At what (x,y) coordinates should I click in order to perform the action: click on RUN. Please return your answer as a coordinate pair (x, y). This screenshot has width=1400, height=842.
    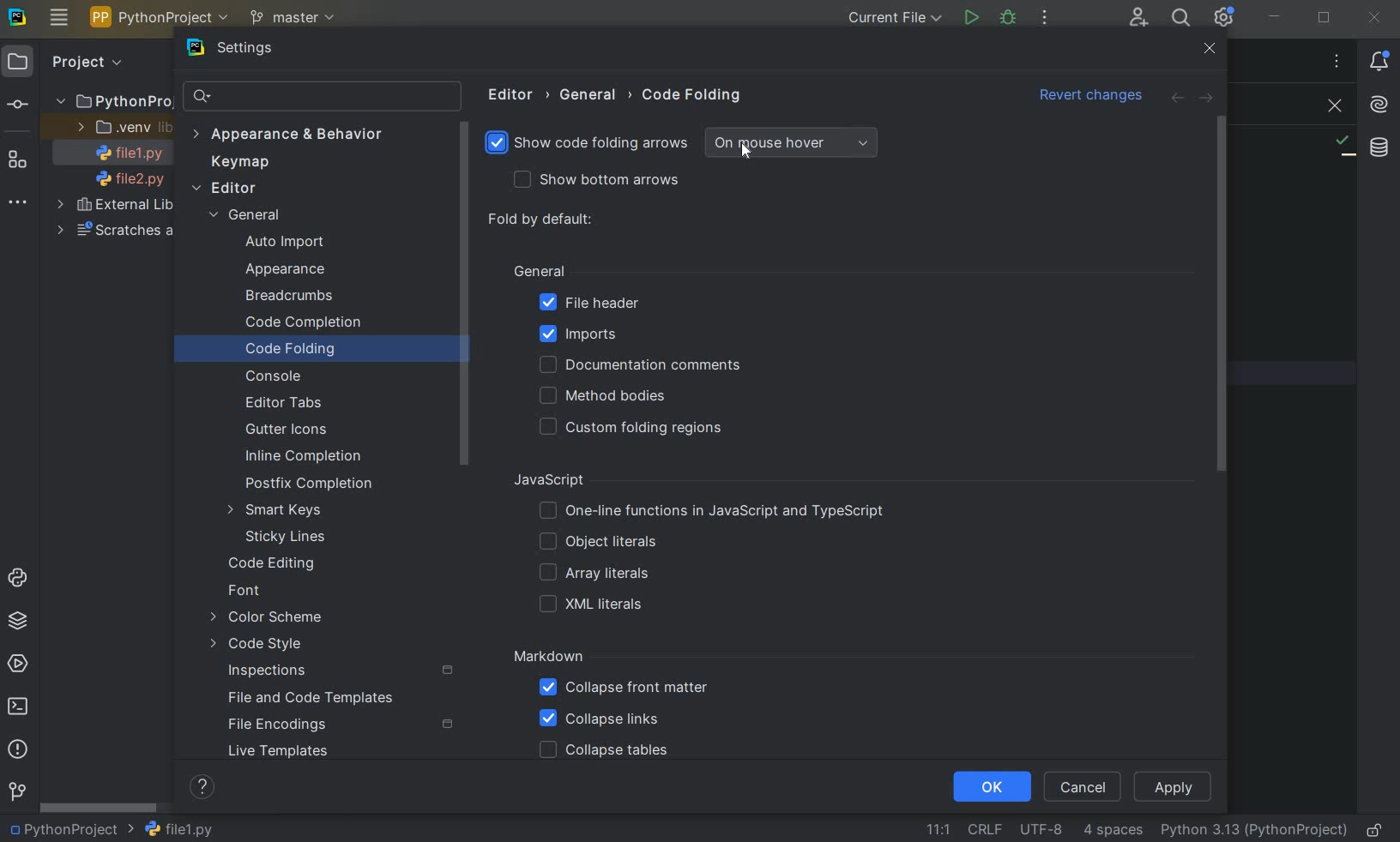
    Looking at the image, I should click on (970, 17).